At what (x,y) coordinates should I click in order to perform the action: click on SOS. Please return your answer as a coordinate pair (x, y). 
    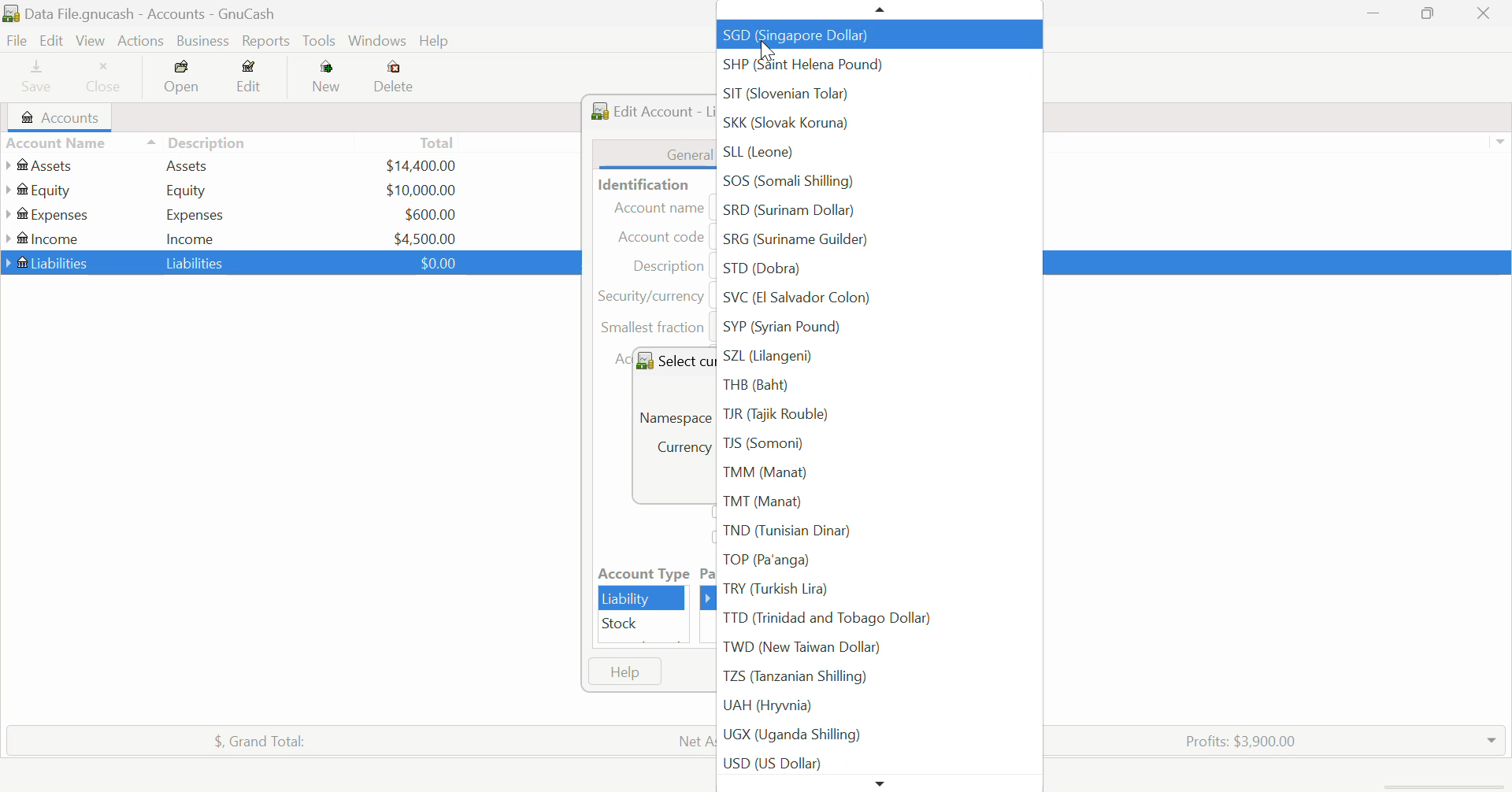
    Looking at the image, I should click on (879, 184).